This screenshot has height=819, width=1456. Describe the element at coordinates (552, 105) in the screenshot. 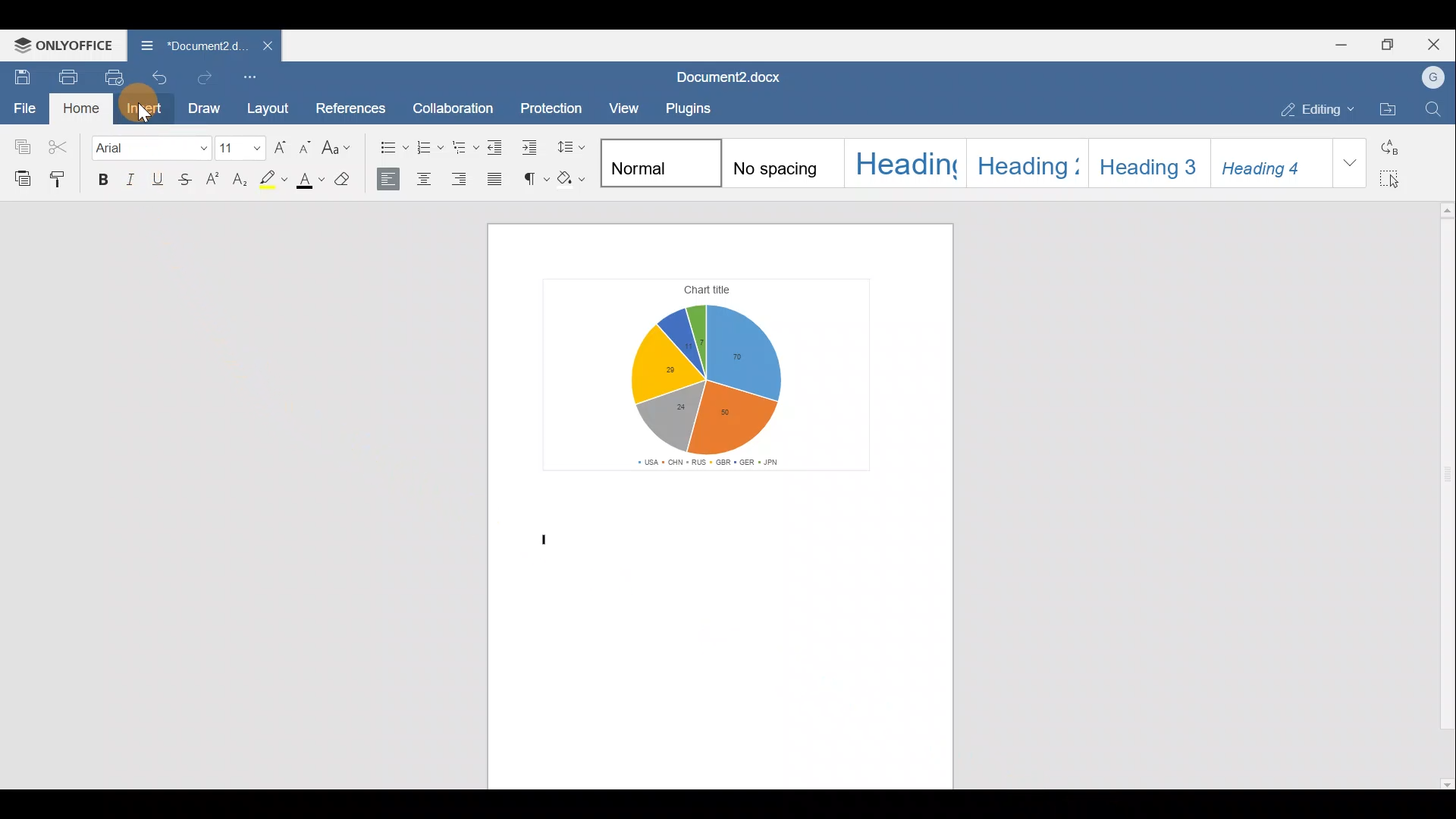

I see `Protection` at that location.